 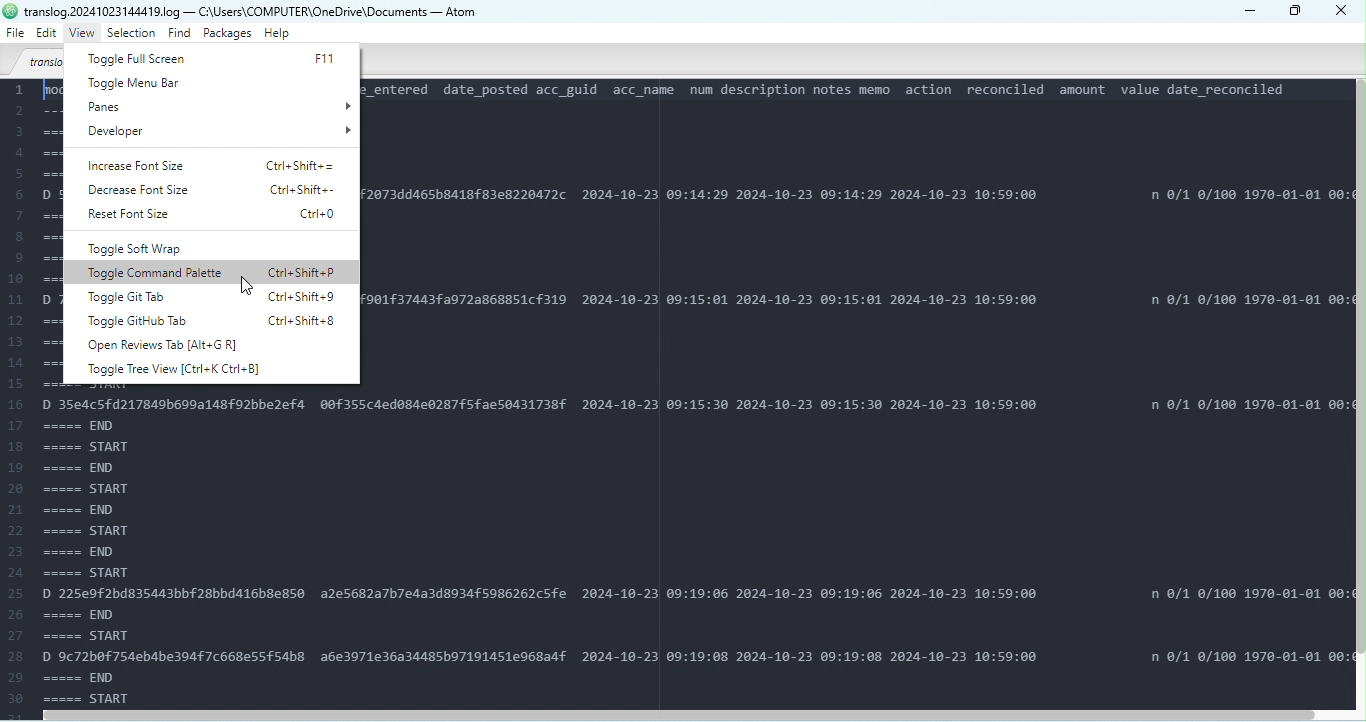 What do you see at coordinates (688, 714) in the screenshot?
I see `Horizontal scroll bar` at bounding box center [688, 714].